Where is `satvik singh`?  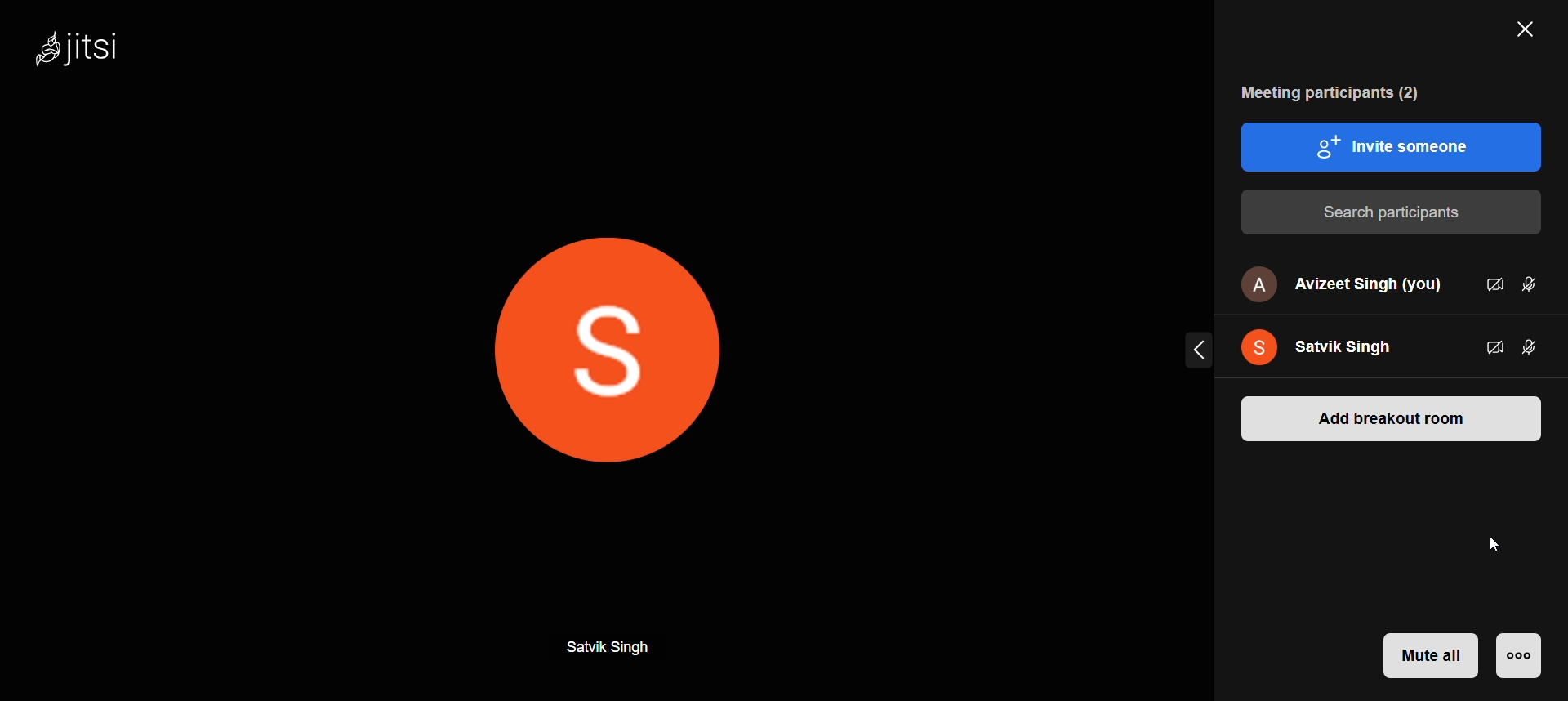
satvik singh is located at coordinates (1331, 345).